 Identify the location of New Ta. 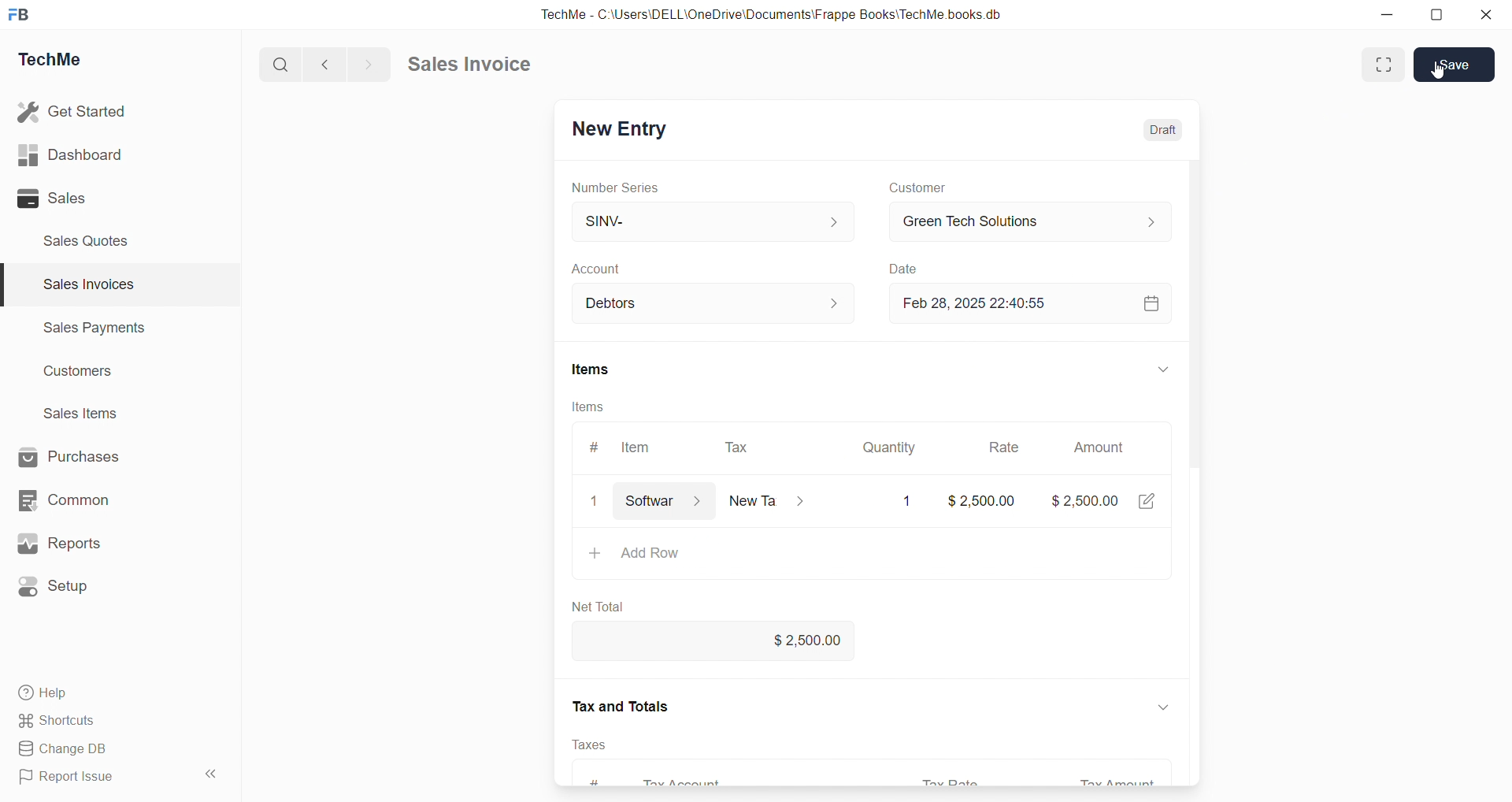
(768, 501).